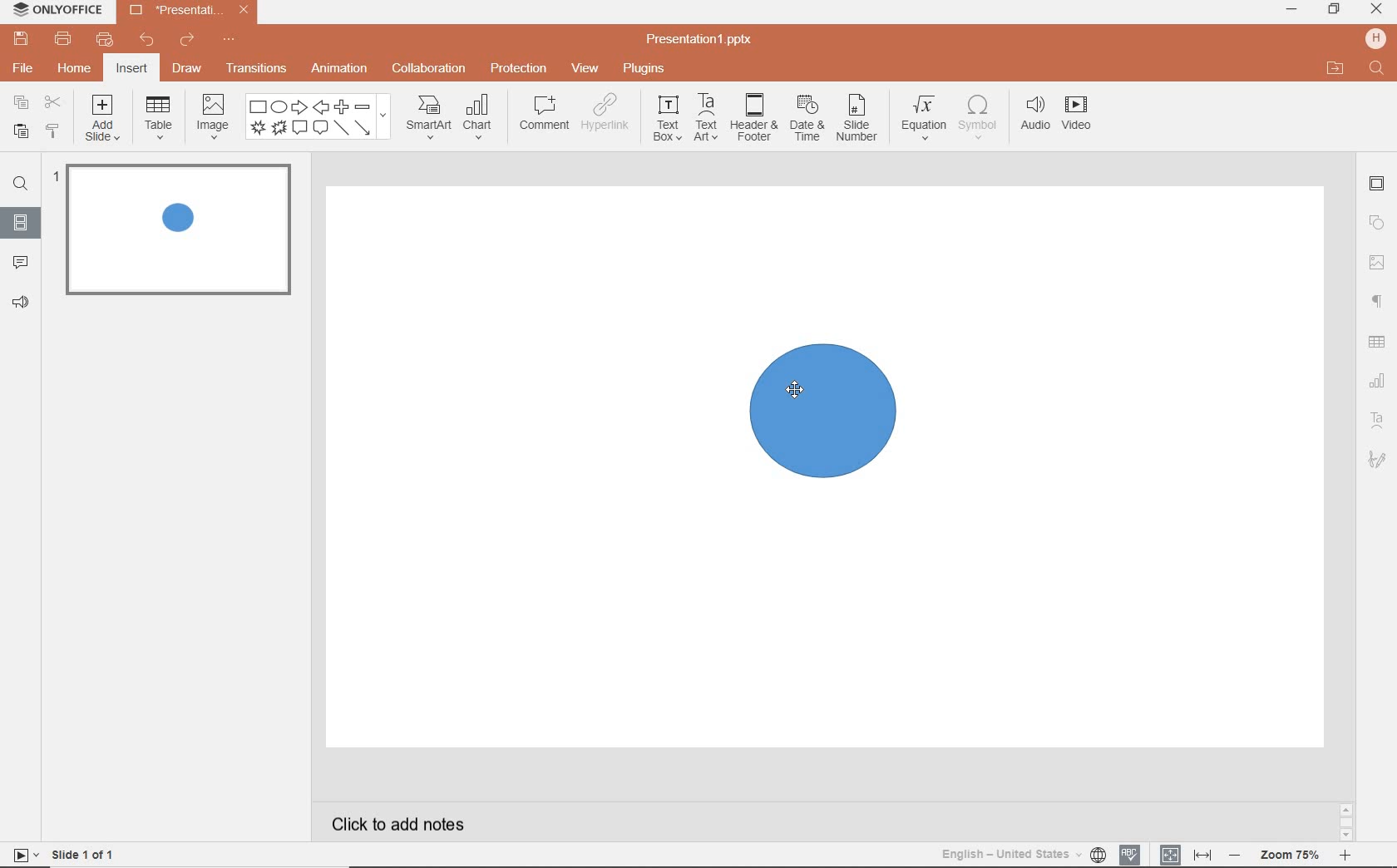 The height and width of the screenshot is (868, 1397). Describe the element at coordinates (645, 70) in the screenshot. I see `plugins` at that location.